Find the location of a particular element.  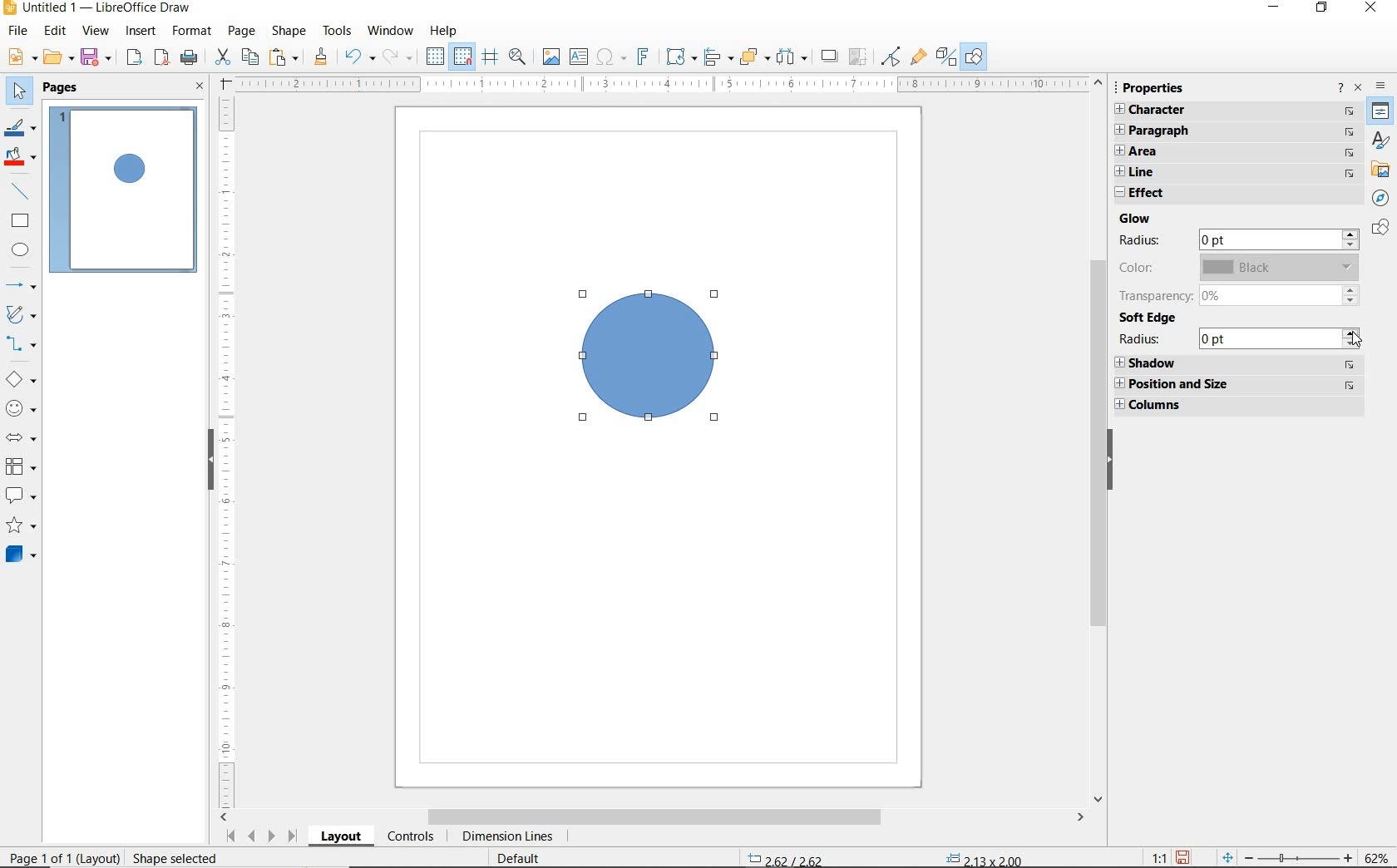

Next page is located at coordinates (272, 836).